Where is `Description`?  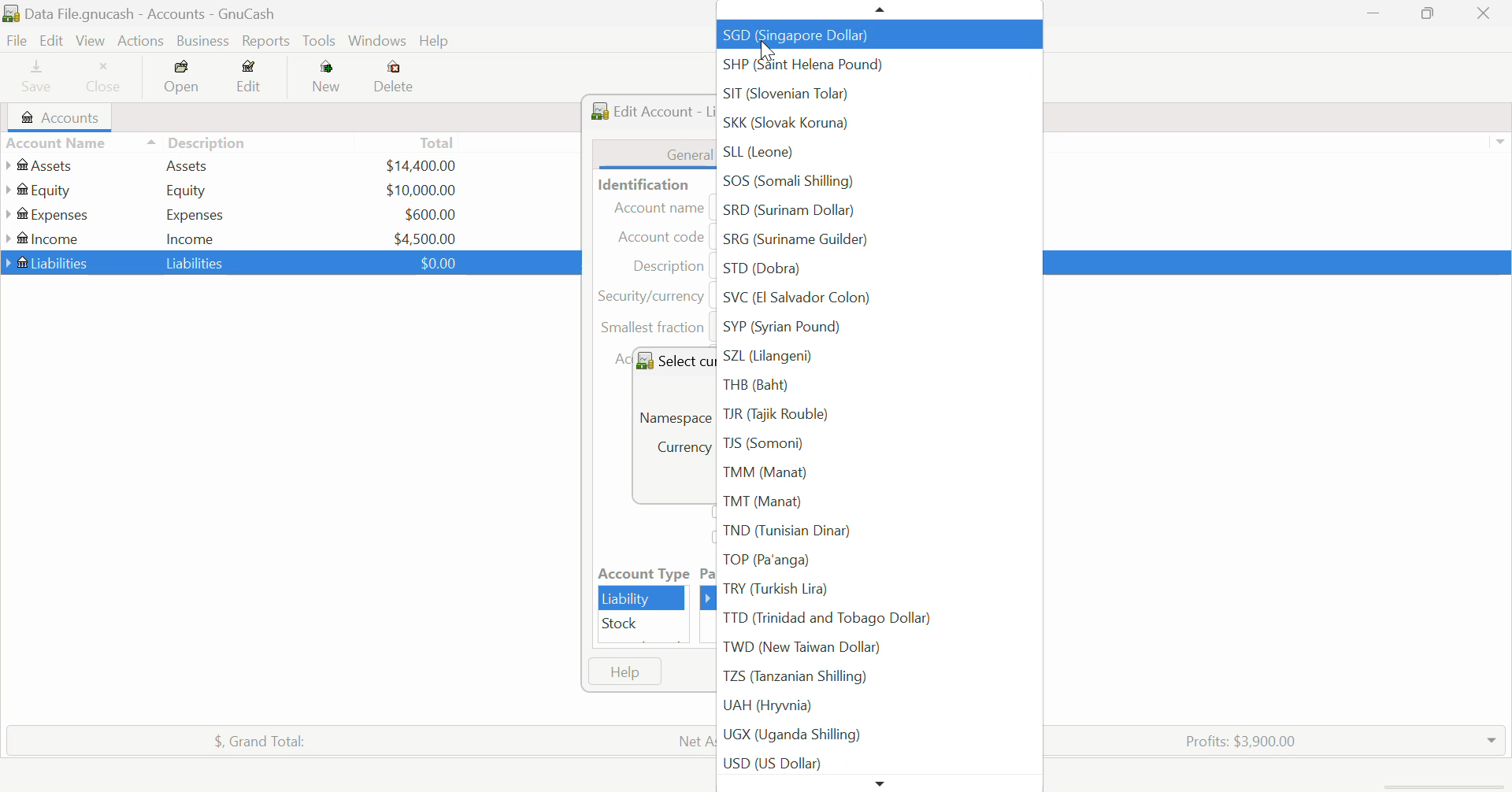
Description is located at coordinates (667, 265).